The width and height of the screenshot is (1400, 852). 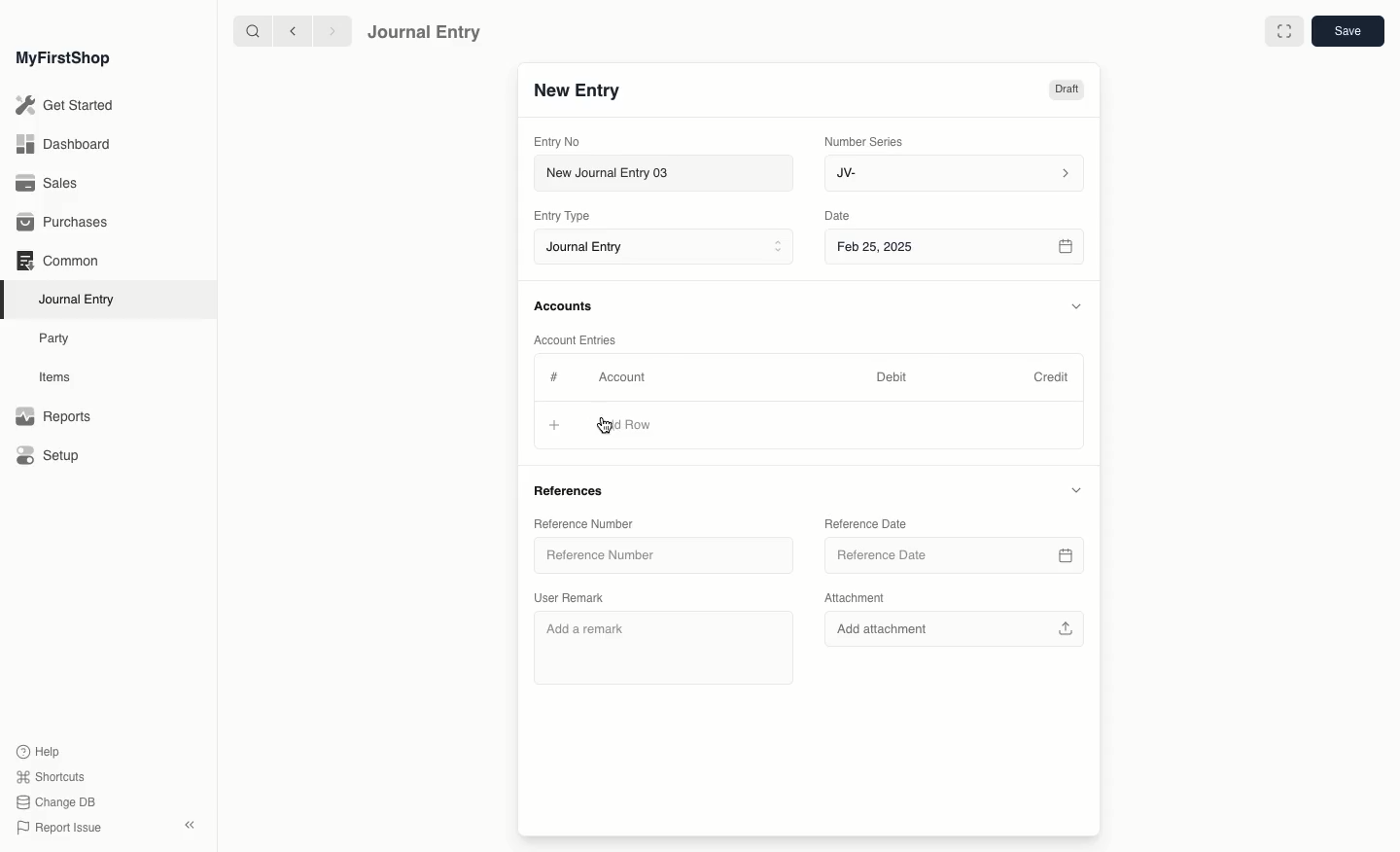 What do you see at coordinates (621, 377) in the screenshot?
I see `Account` at bounding box center [621, 377].